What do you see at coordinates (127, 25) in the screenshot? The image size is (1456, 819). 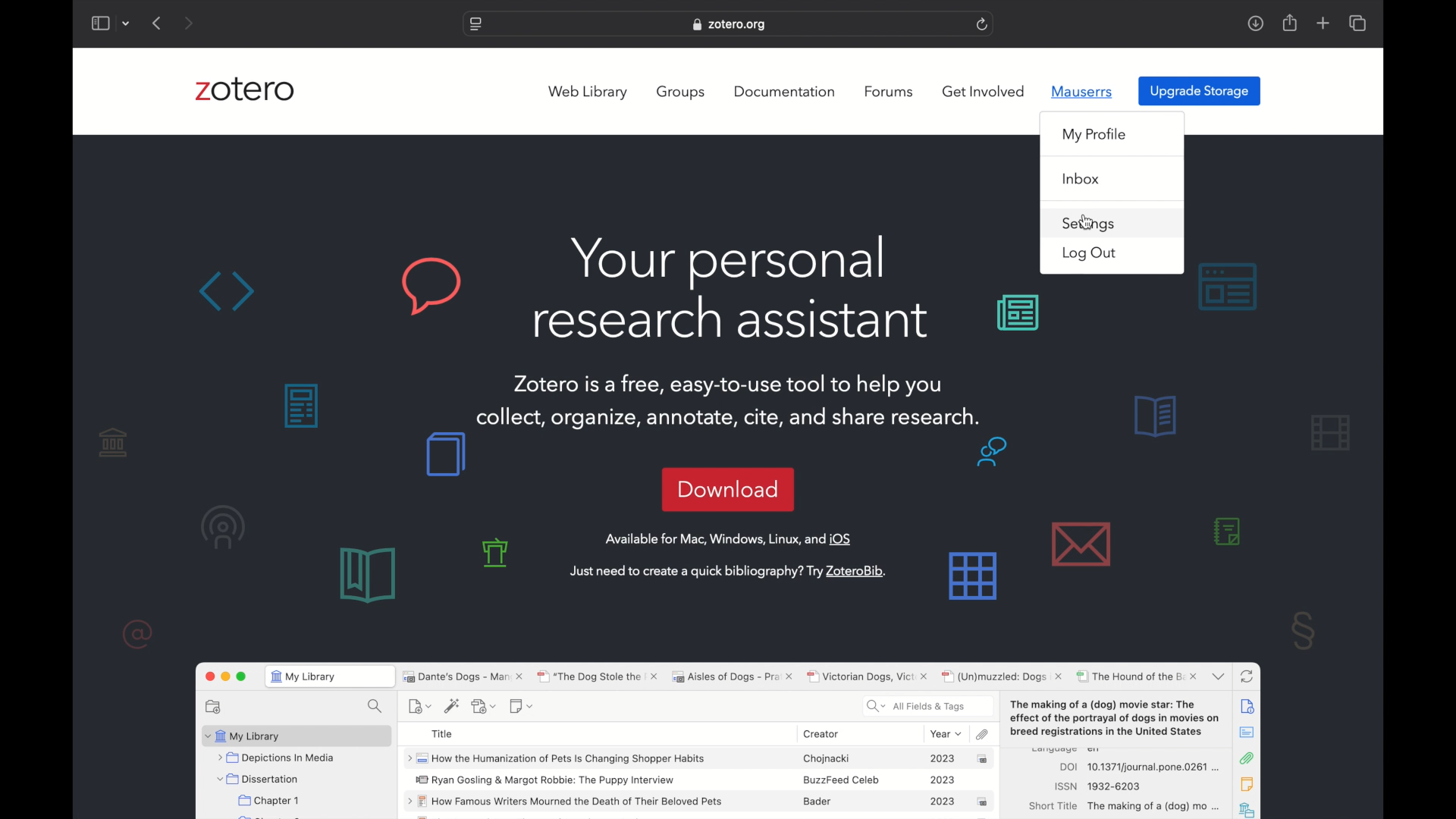 I see `dropdown` at bounding box center [127, 25].